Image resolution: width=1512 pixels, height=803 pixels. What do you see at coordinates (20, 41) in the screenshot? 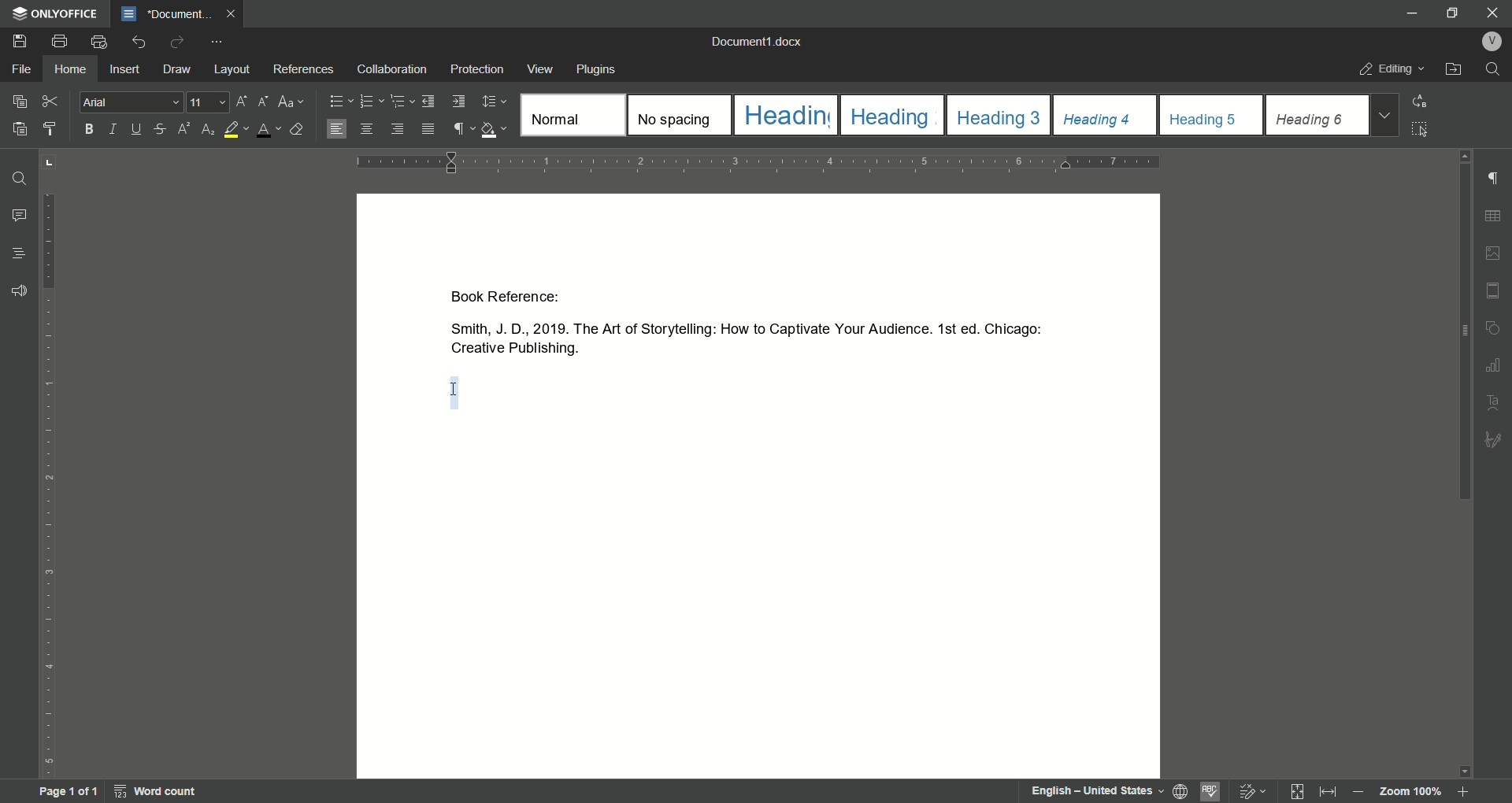
I see `save` at bounding box center [20, 41].